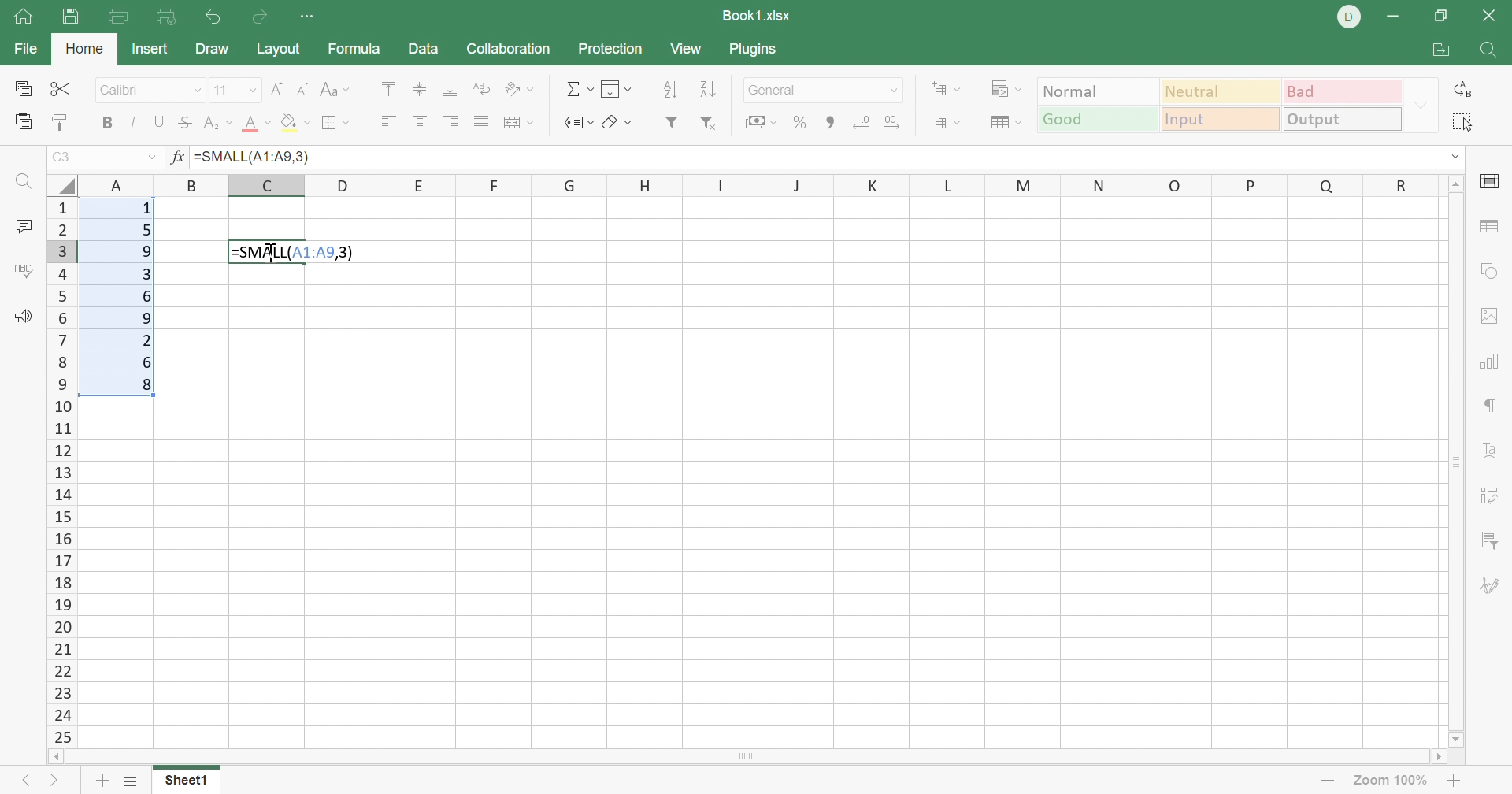 The image size is (1512, 794). I want to click on DELL, so click(1347, 17).